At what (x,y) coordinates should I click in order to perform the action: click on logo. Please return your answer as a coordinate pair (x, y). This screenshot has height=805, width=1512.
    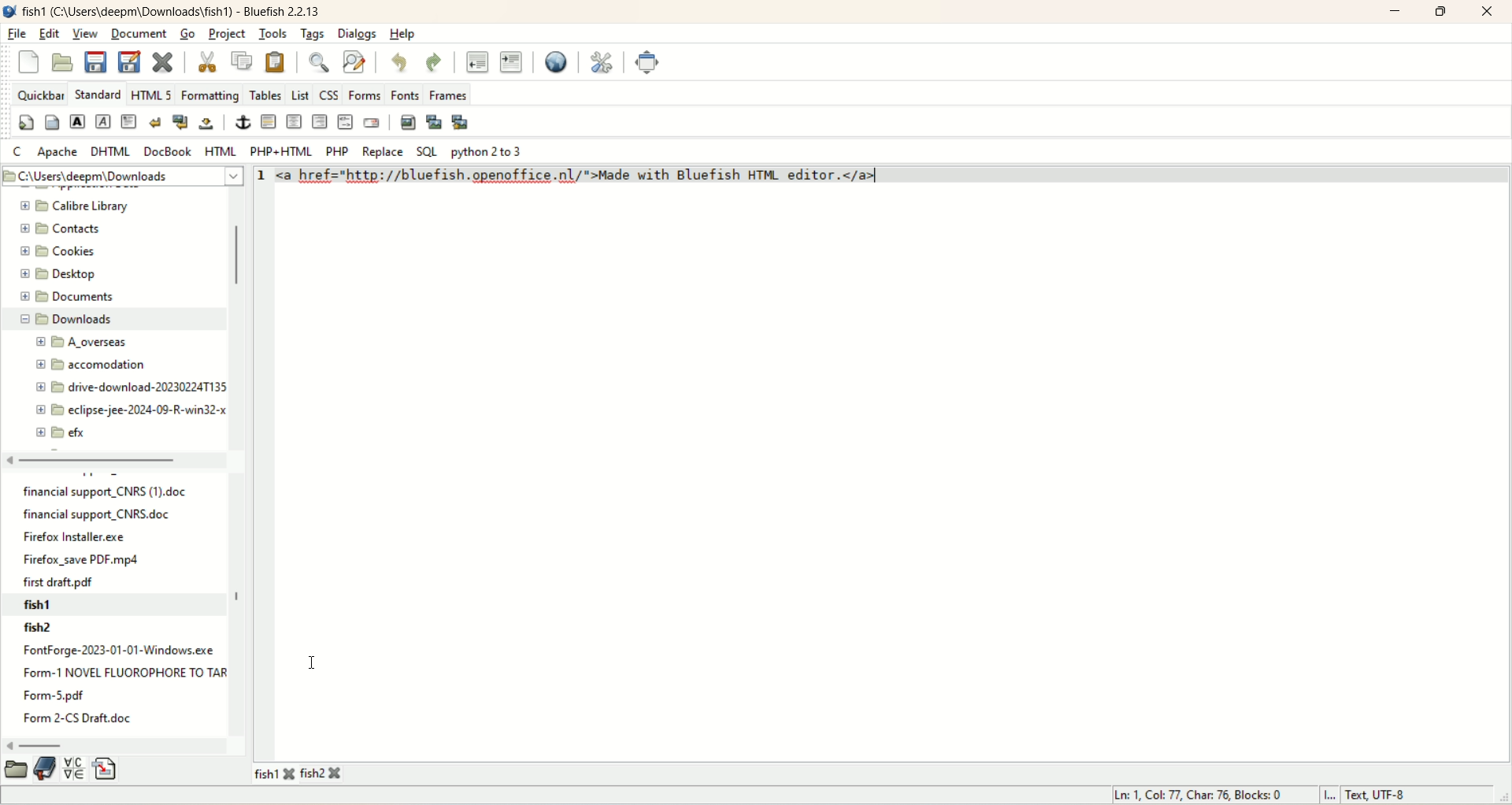
    Looking at the image, I should click on (9, 12).